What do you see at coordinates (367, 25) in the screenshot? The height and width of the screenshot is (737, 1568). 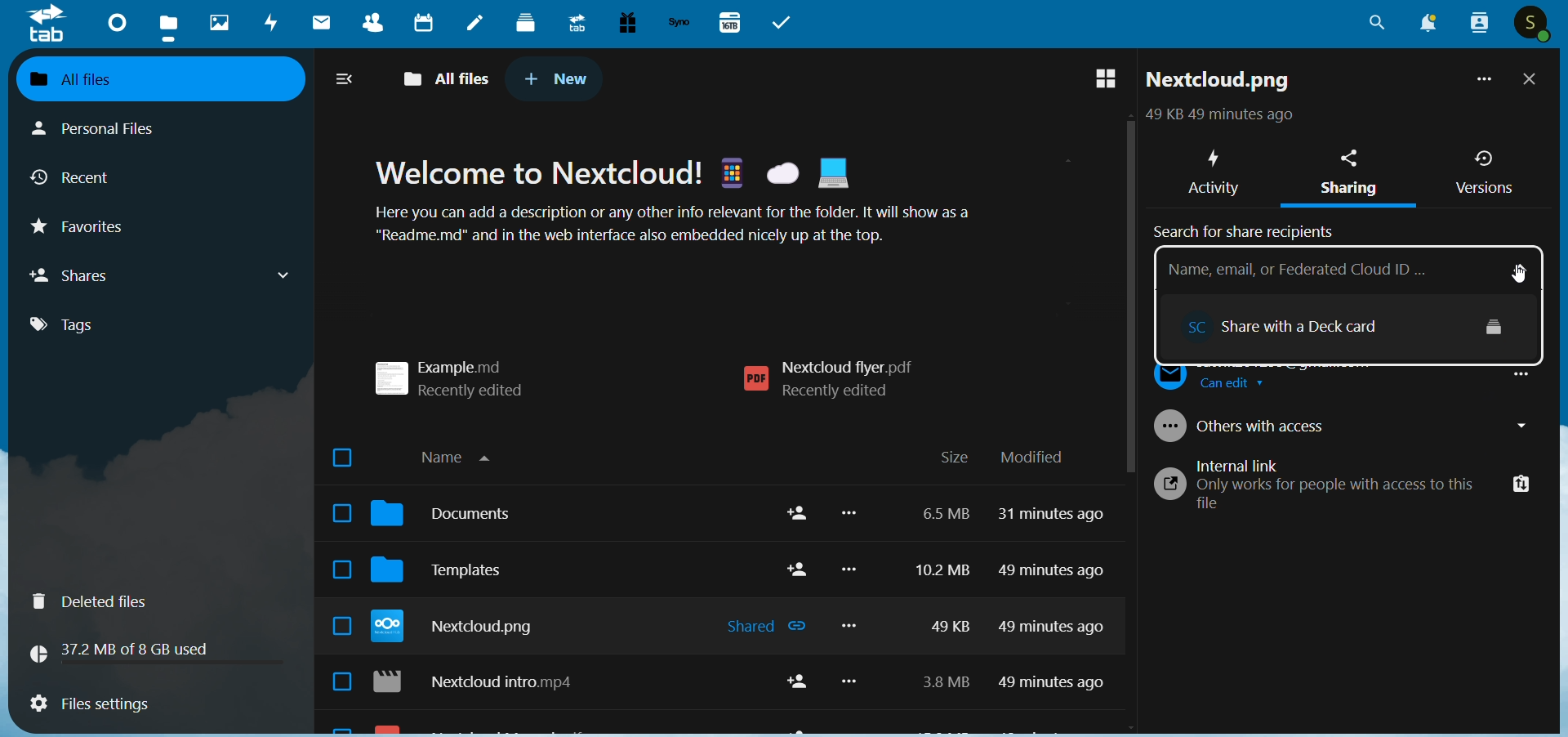 I see `contacts` at bounding box center [367, 25].